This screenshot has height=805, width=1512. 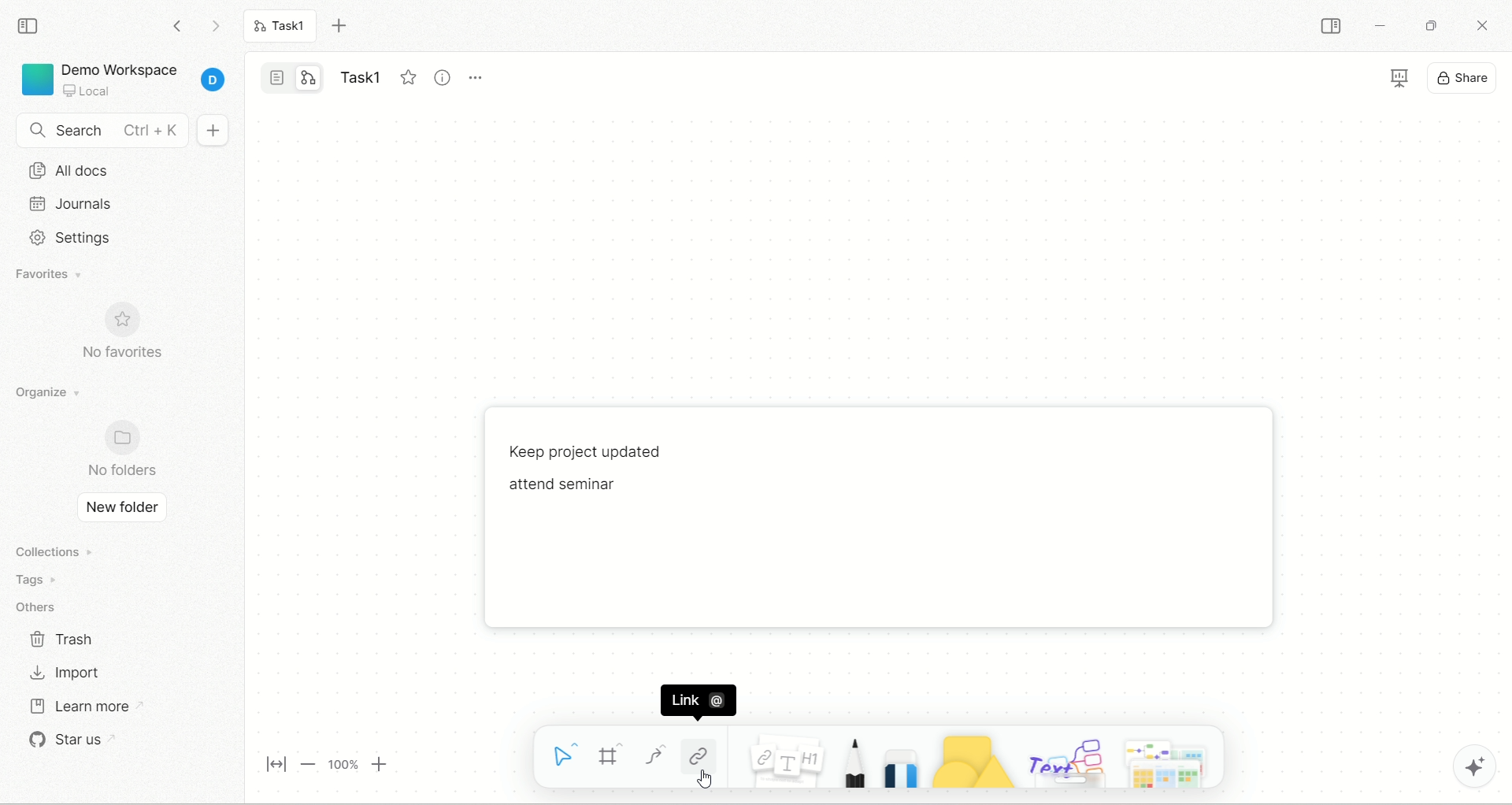 What do you see at coordinates (82, 744) in the screenshot?
I see `star us` at bounding box center [82, 744].